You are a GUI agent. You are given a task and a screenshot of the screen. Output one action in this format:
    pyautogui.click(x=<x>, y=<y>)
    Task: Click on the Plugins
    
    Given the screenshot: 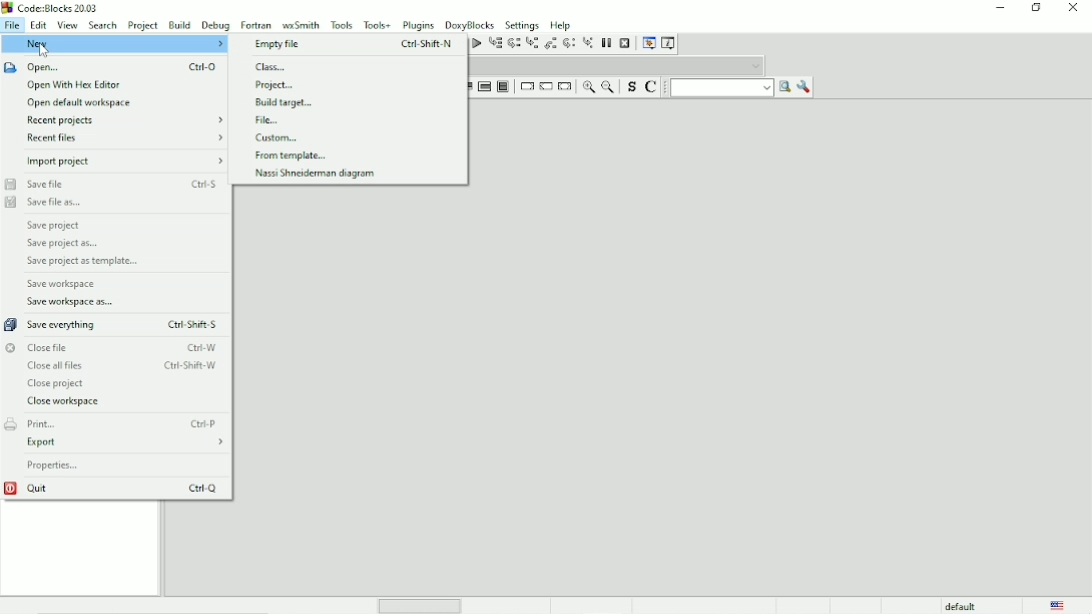 What is the action you would take?
    pyautogui.click(x=419, y=25)
    